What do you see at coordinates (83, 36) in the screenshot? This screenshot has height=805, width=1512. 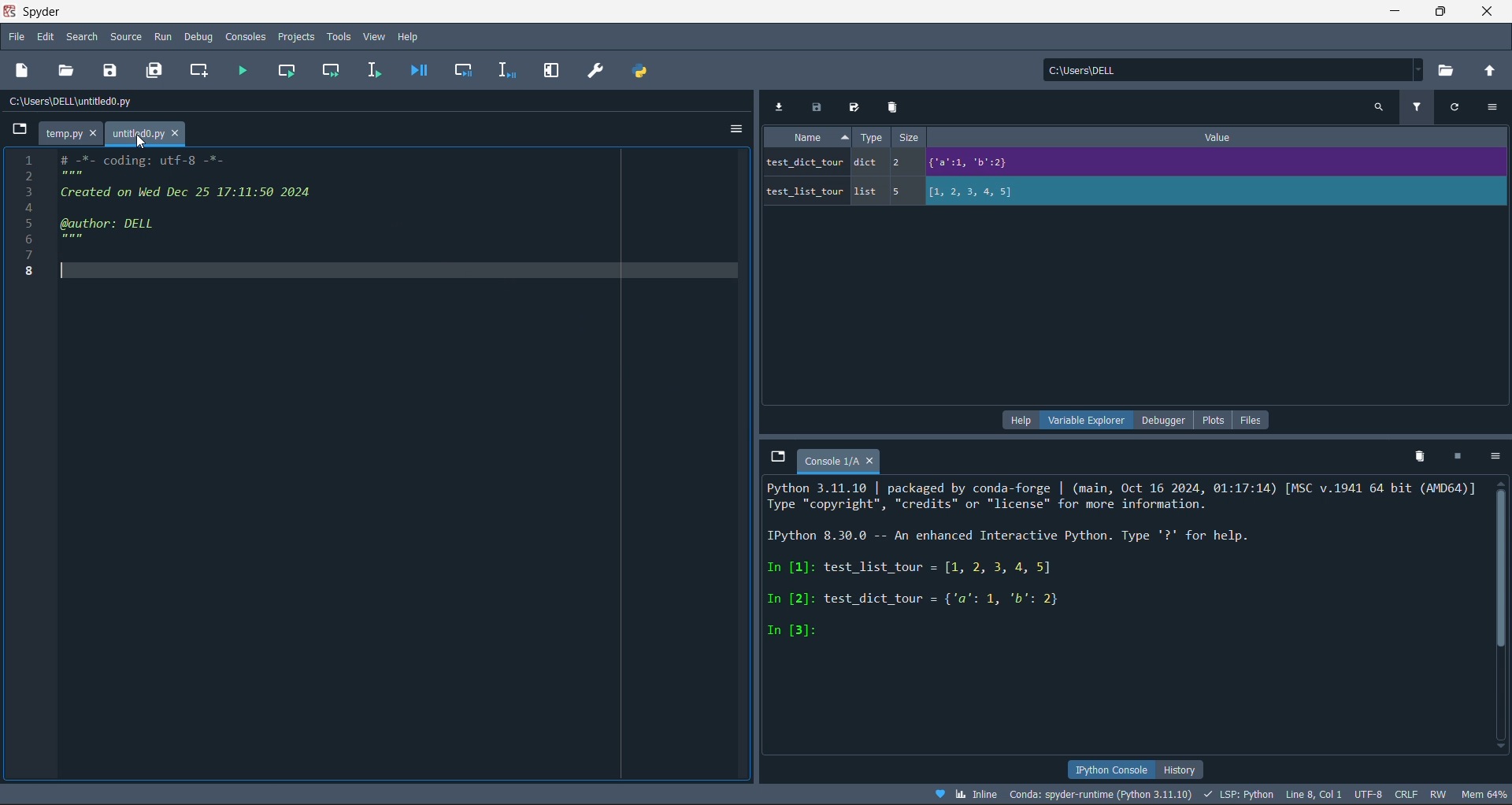 I see `search` at bounding box center [83, 36].